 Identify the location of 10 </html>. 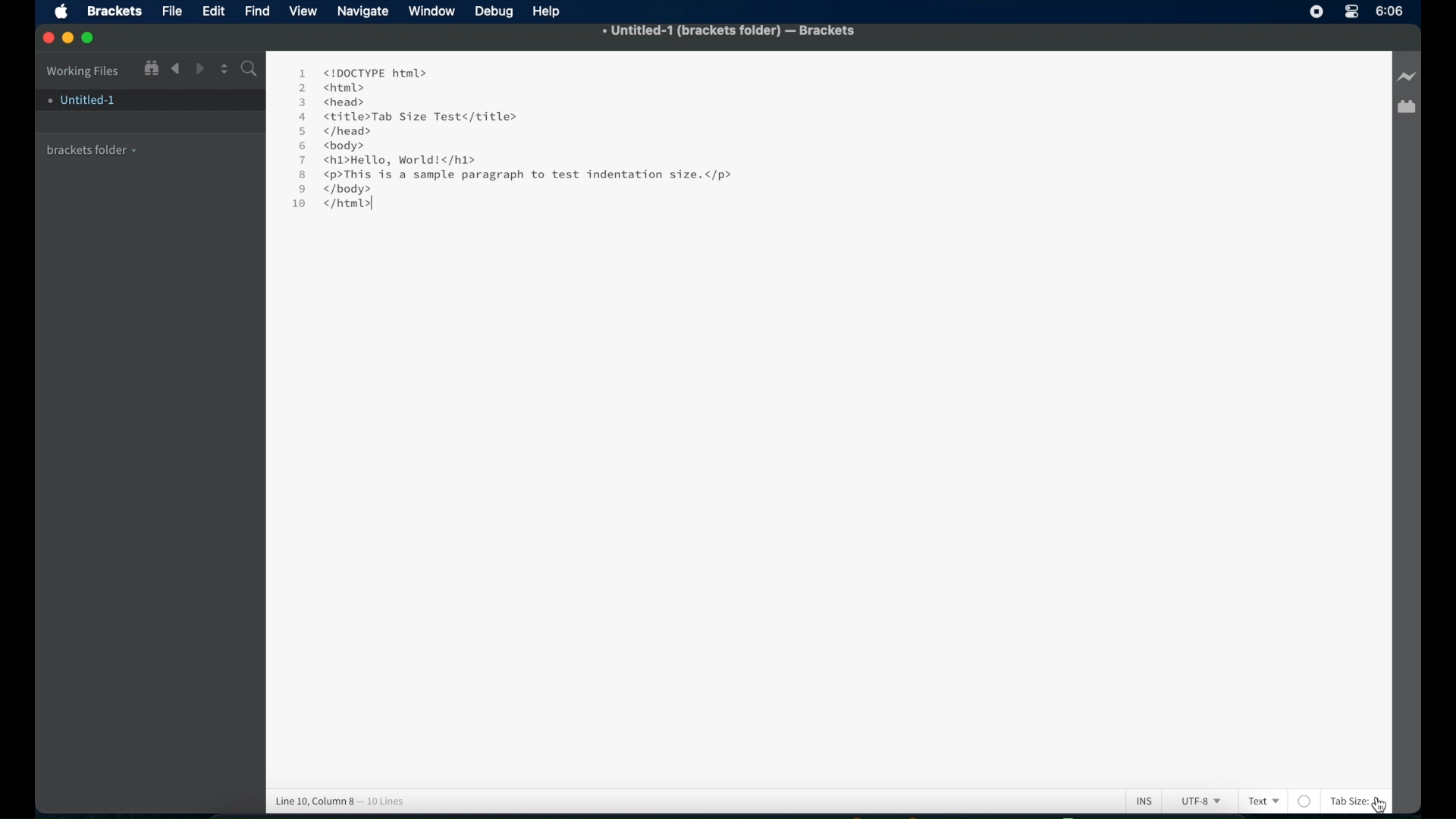
(327, 206).